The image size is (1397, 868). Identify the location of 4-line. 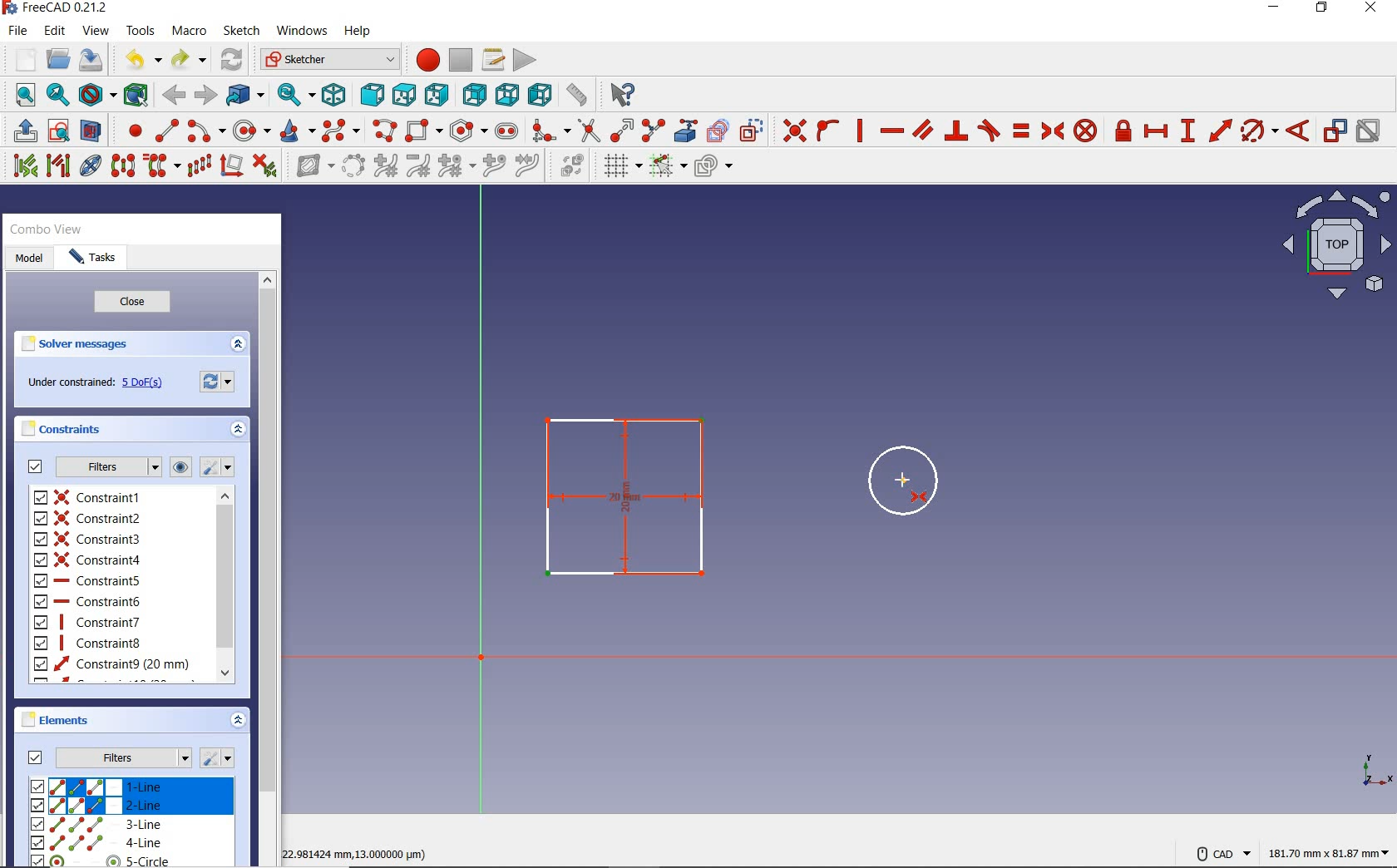
(131, 842).